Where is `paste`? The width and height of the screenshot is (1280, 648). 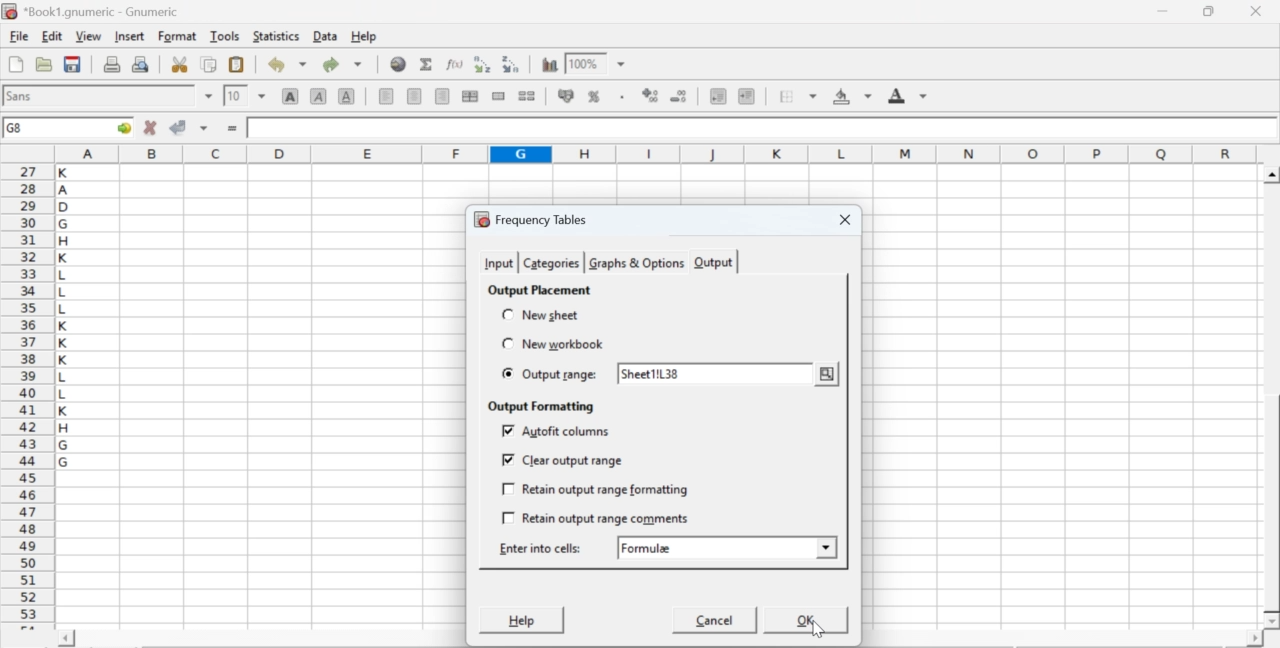 paste is located at coordinates (238, 65).